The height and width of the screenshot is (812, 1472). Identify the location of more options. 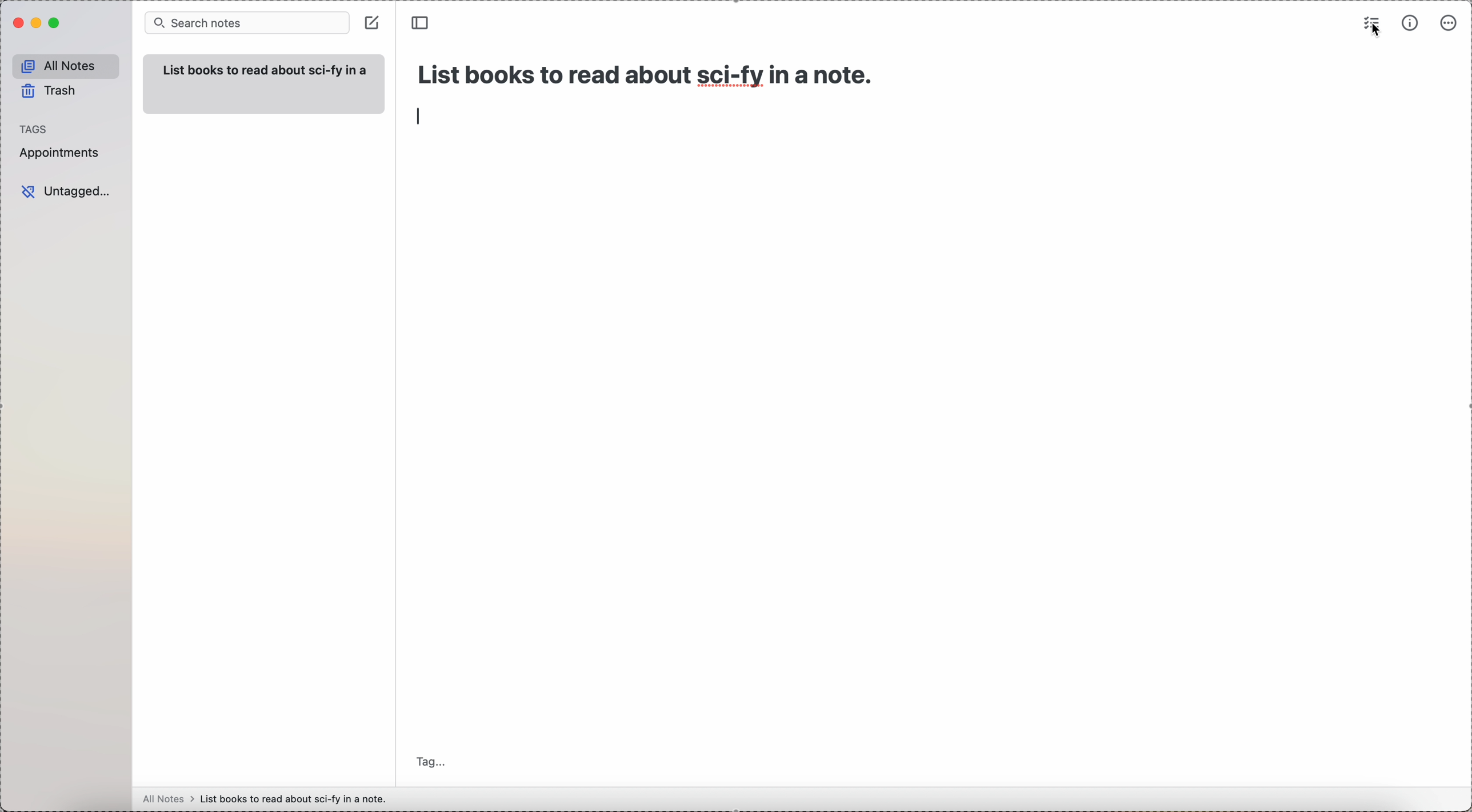
(1447, 24).